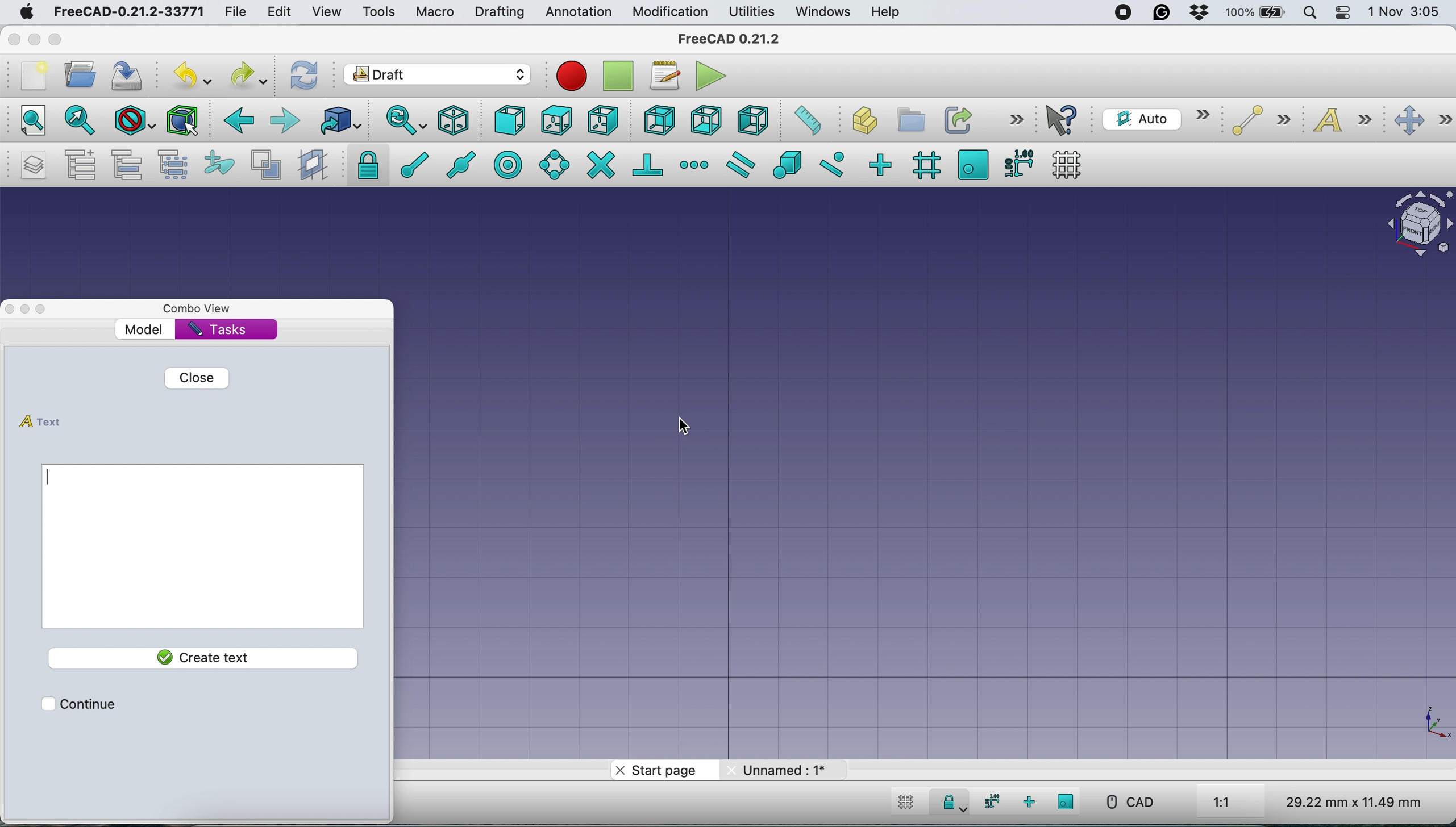 This screenshot has height=827, width=1456. What do you see at coordinates (751, 13) in the screenshot?
I see `utilities` at bounding box center [751, 13].